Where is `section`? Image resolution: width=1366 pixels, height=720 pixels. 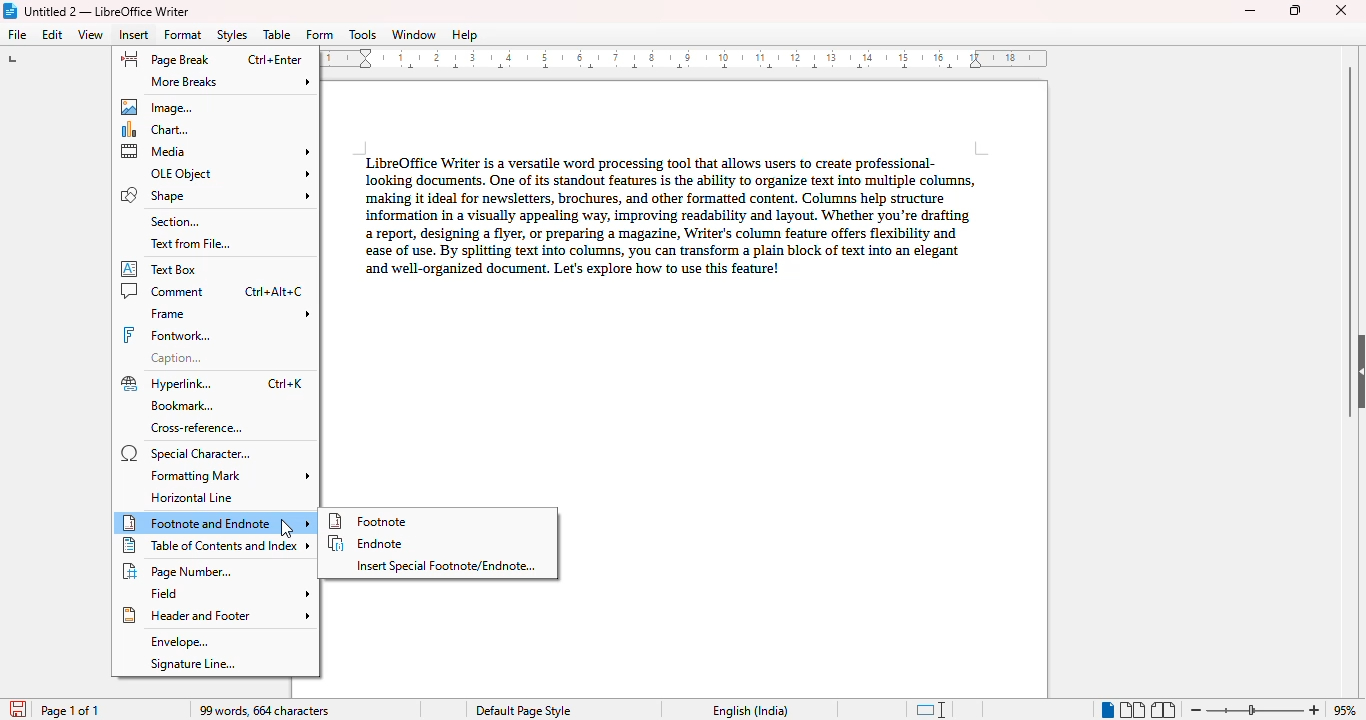 section is located at coordinates (173, 222).